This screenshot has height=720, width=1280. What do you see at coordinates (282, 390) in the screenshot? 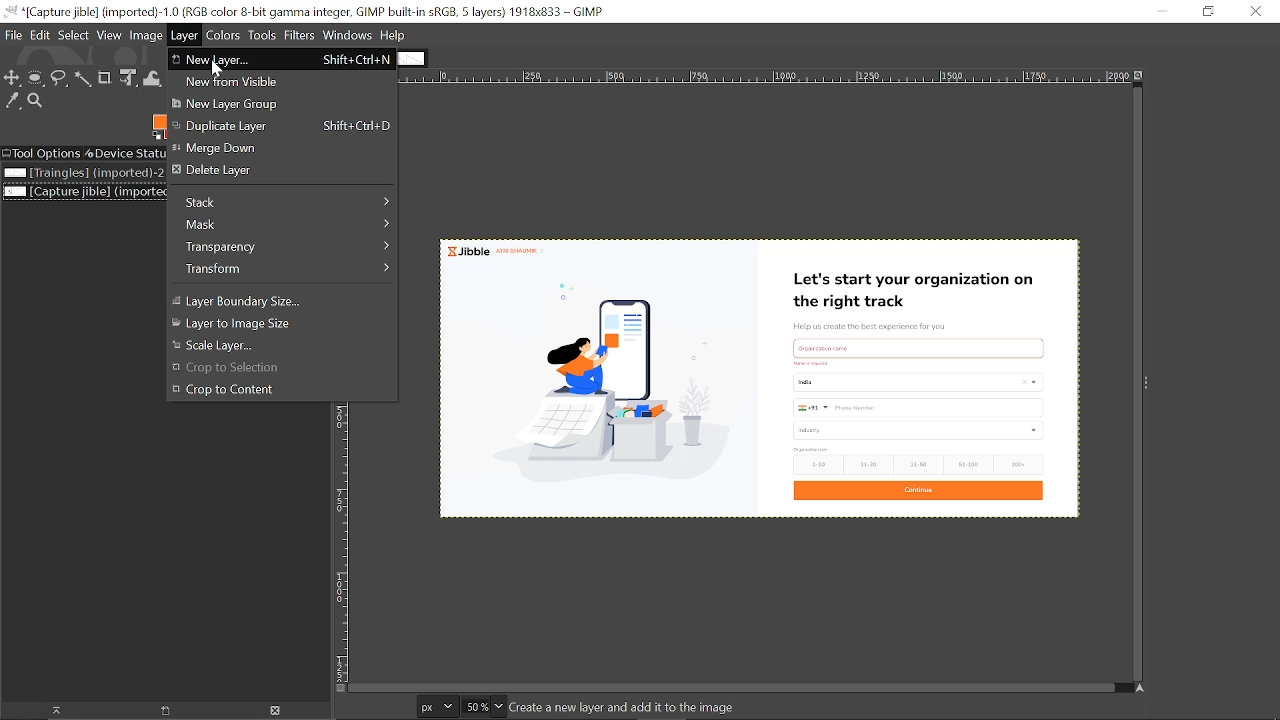
I see `Crop to content` at bounding box center [282, 390].